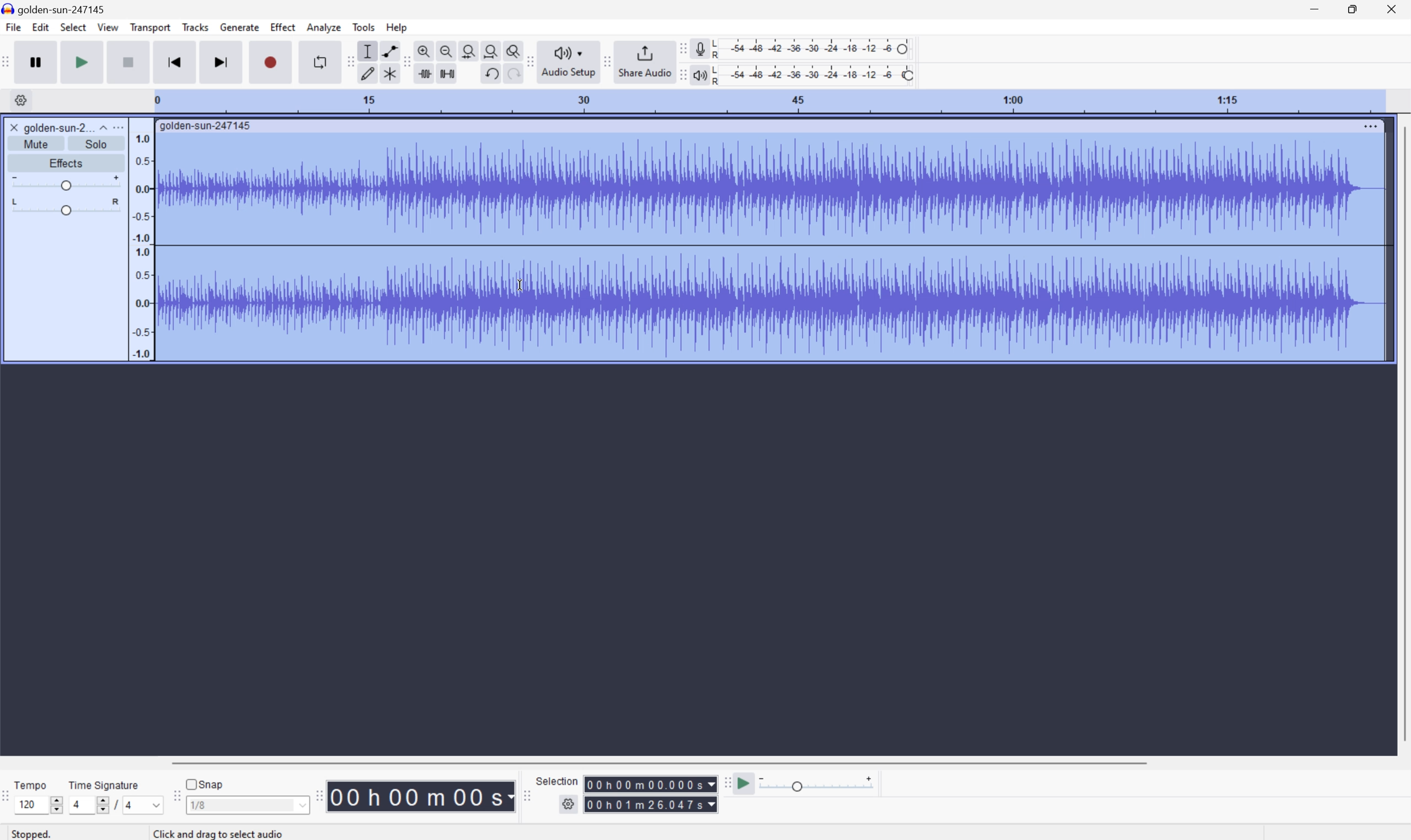 This screenshot has width=1411, height=840. I want to click on Tools, so click(363, 27).